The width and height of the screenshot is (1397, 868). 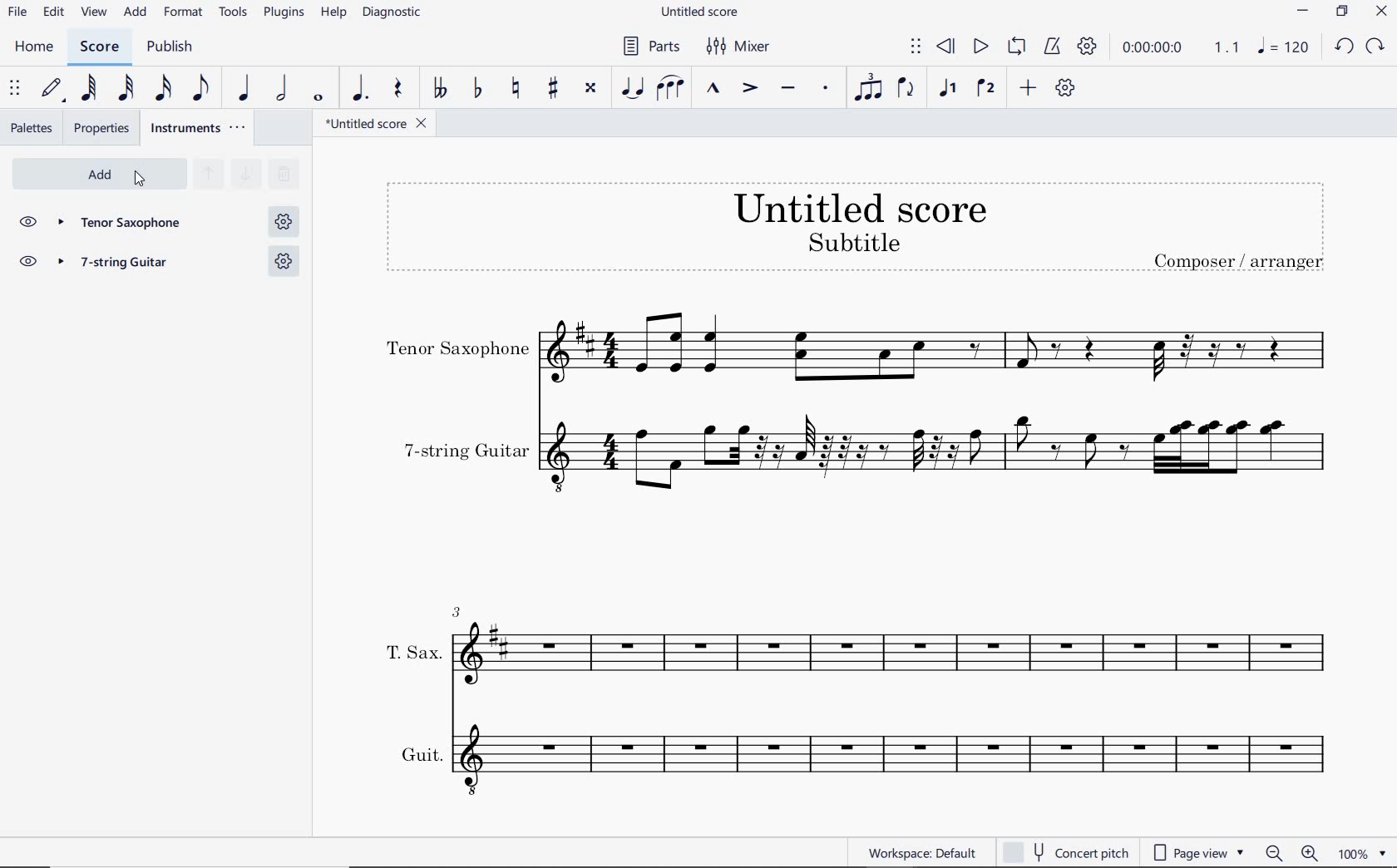 What do you see at coordinates (853, 640) in the screenshot?
I see `INSTRUMENT: T.SAX` at bounding box center [853, 640].